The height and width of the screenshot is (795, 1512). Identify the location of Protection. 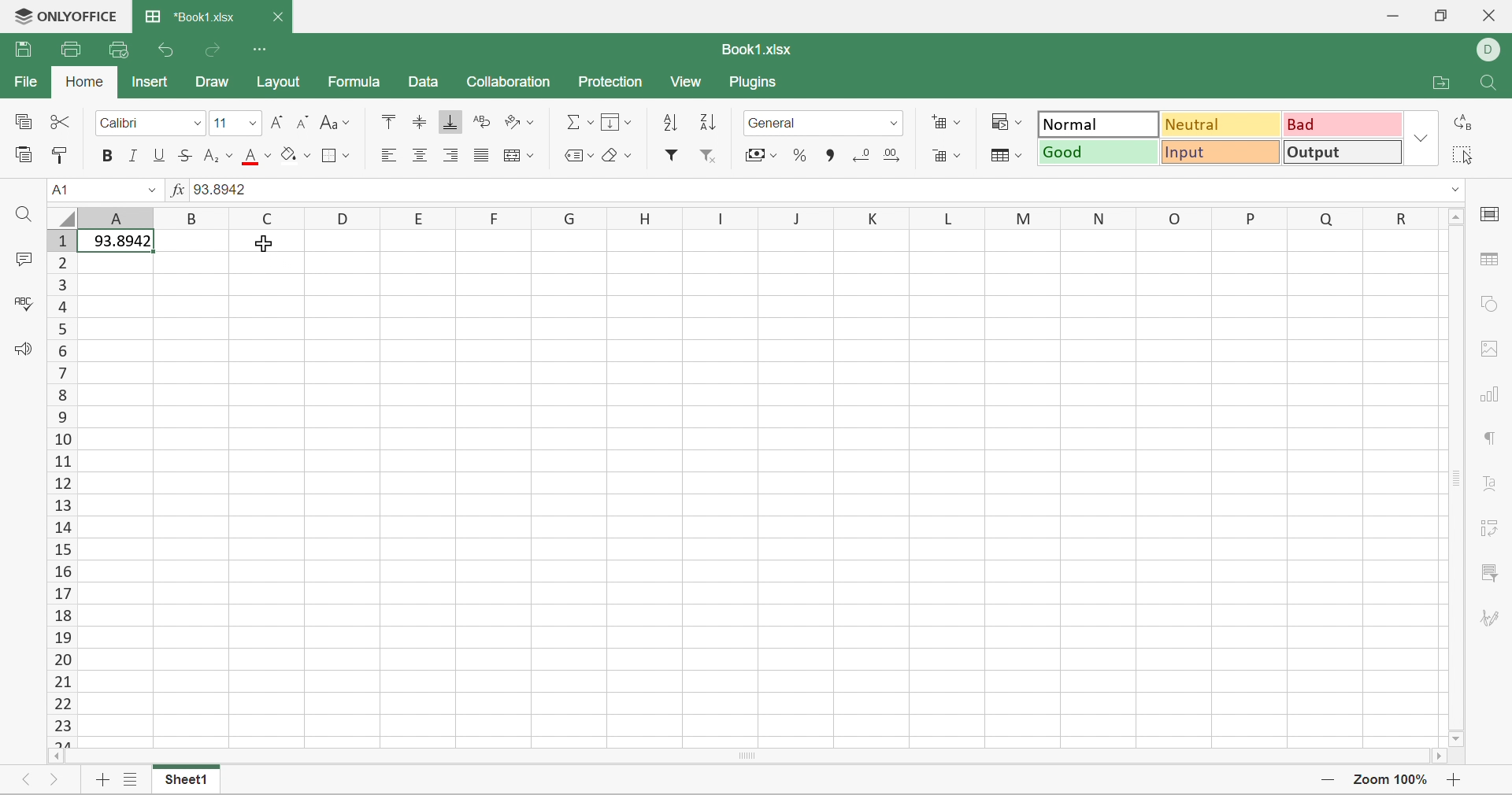
(612, 81).